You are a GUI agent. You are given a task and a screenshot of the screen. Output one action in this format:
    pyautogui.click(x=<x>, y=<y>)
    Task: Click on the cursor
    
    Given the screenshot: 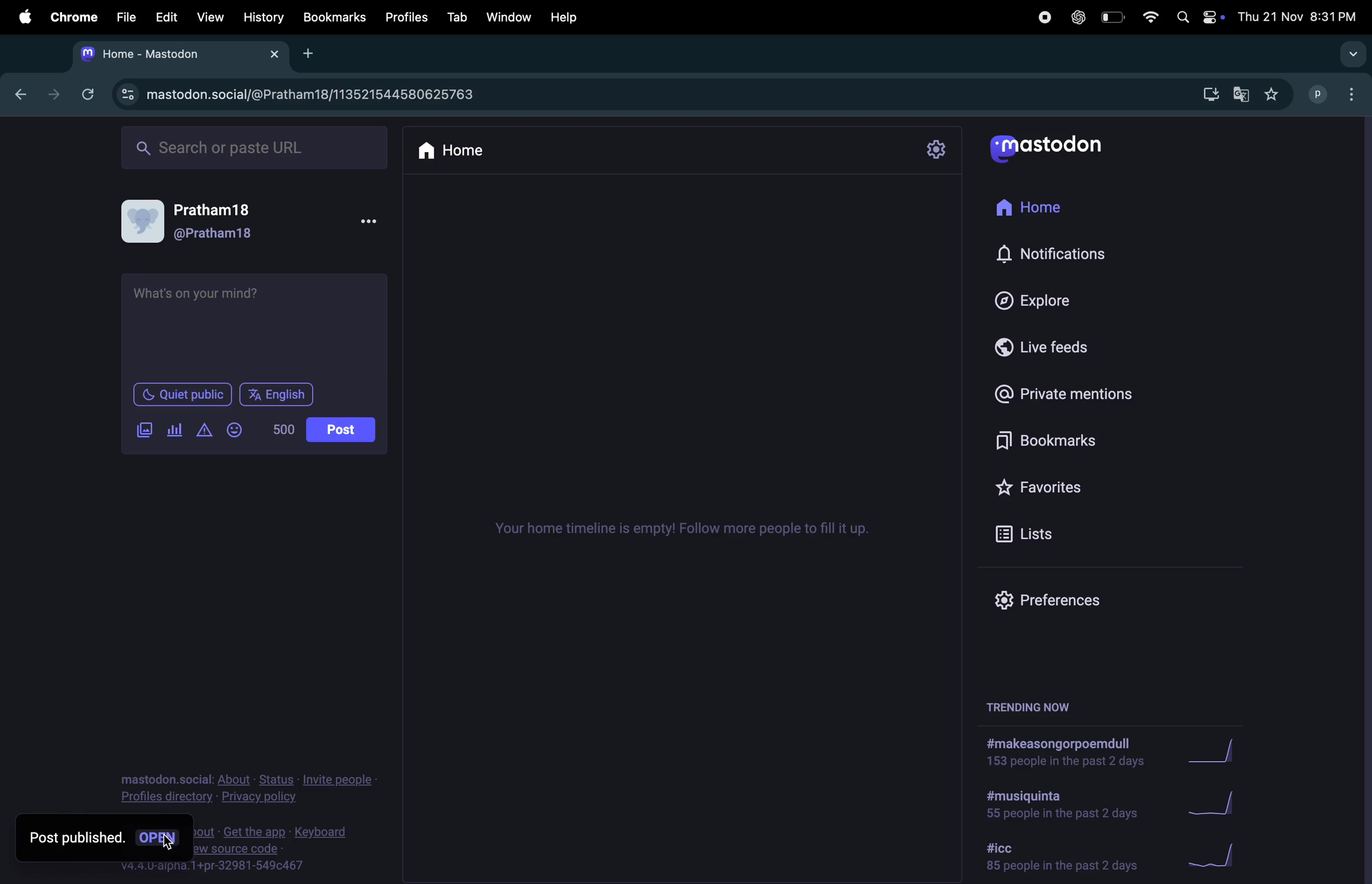 What is the action you would take?
    pyautogui.click(x=168, y=843)
    